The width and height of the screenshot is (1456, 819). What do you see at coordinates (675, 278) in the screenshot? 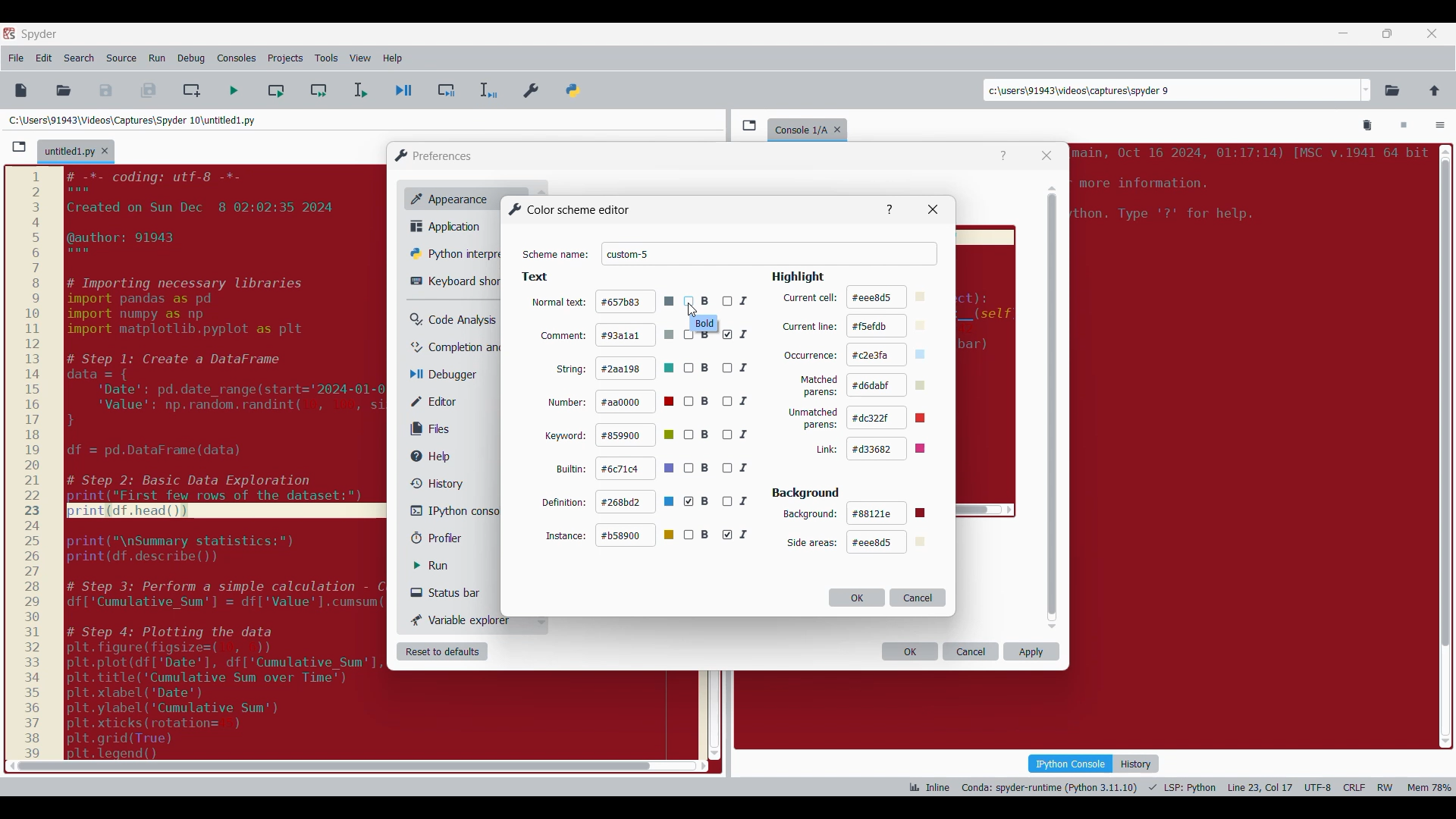
I see `Respective section title` at bounding box center [675, 278].